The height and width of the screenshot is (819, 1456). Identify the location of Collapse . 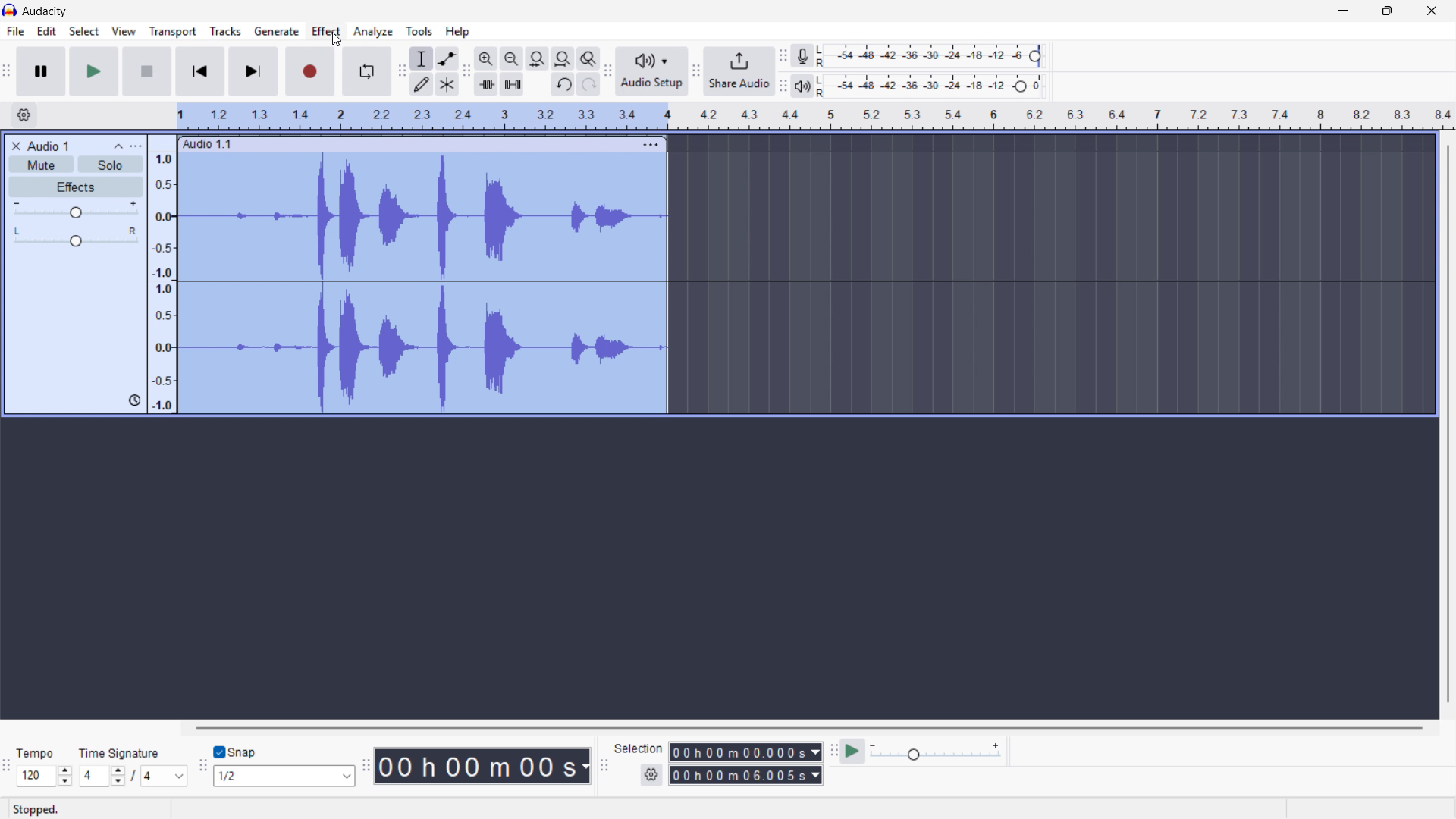
(118, 146).